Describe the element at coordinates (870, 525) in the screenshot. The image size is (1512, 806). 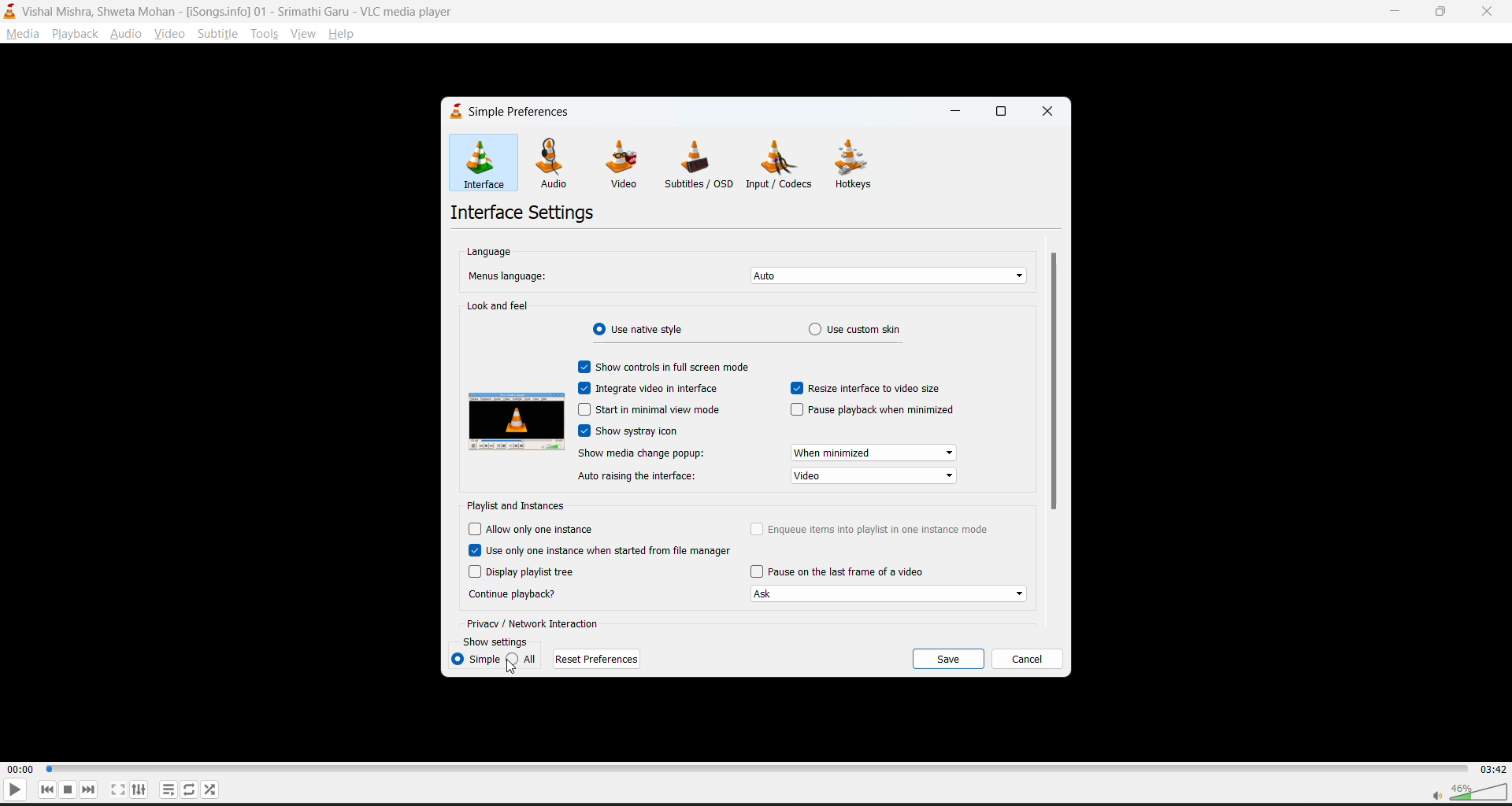
I see `enqueue items in a playlist` at that location.